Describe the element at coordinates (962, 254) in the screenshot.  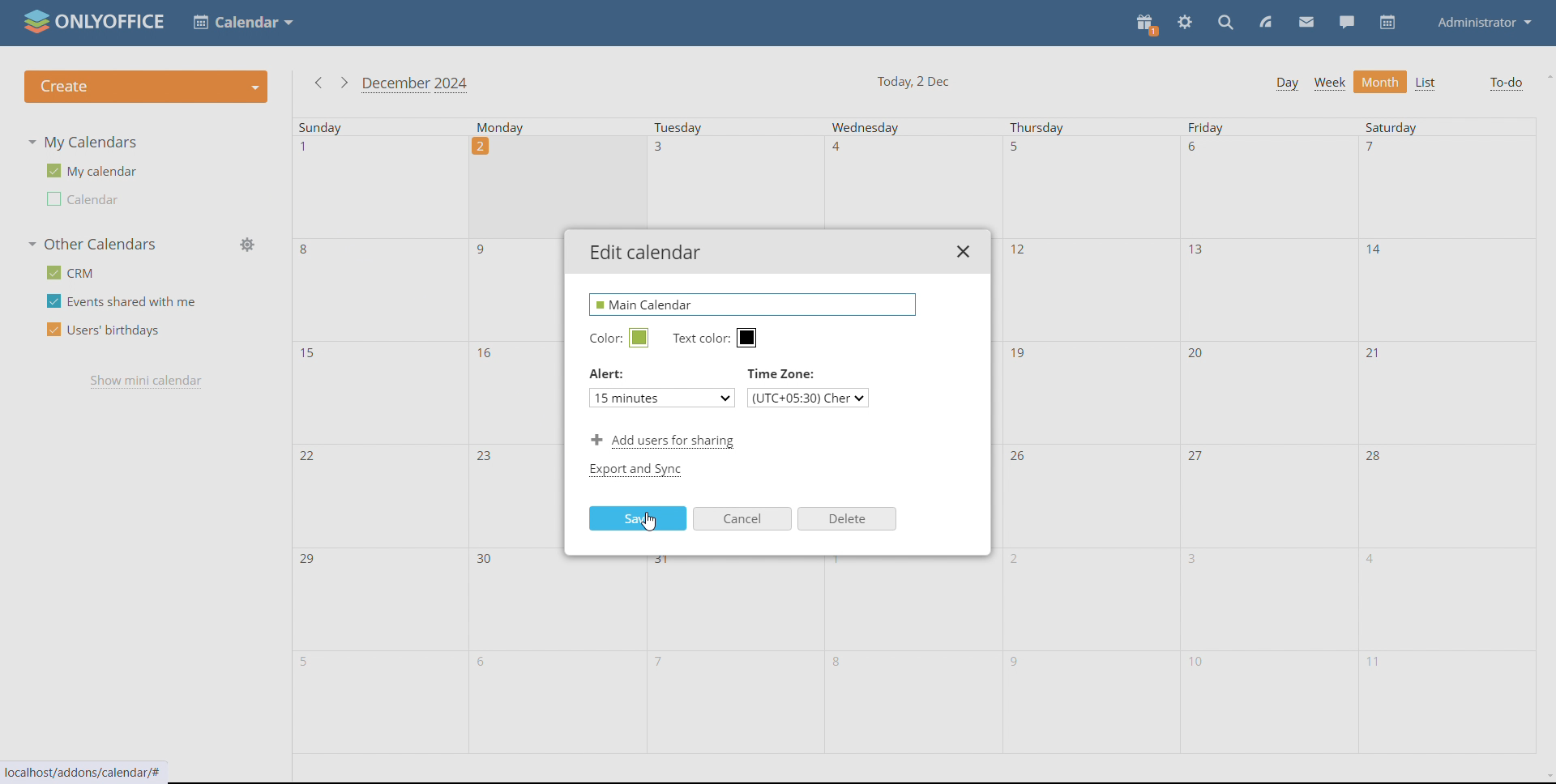
I see `close` at that location.